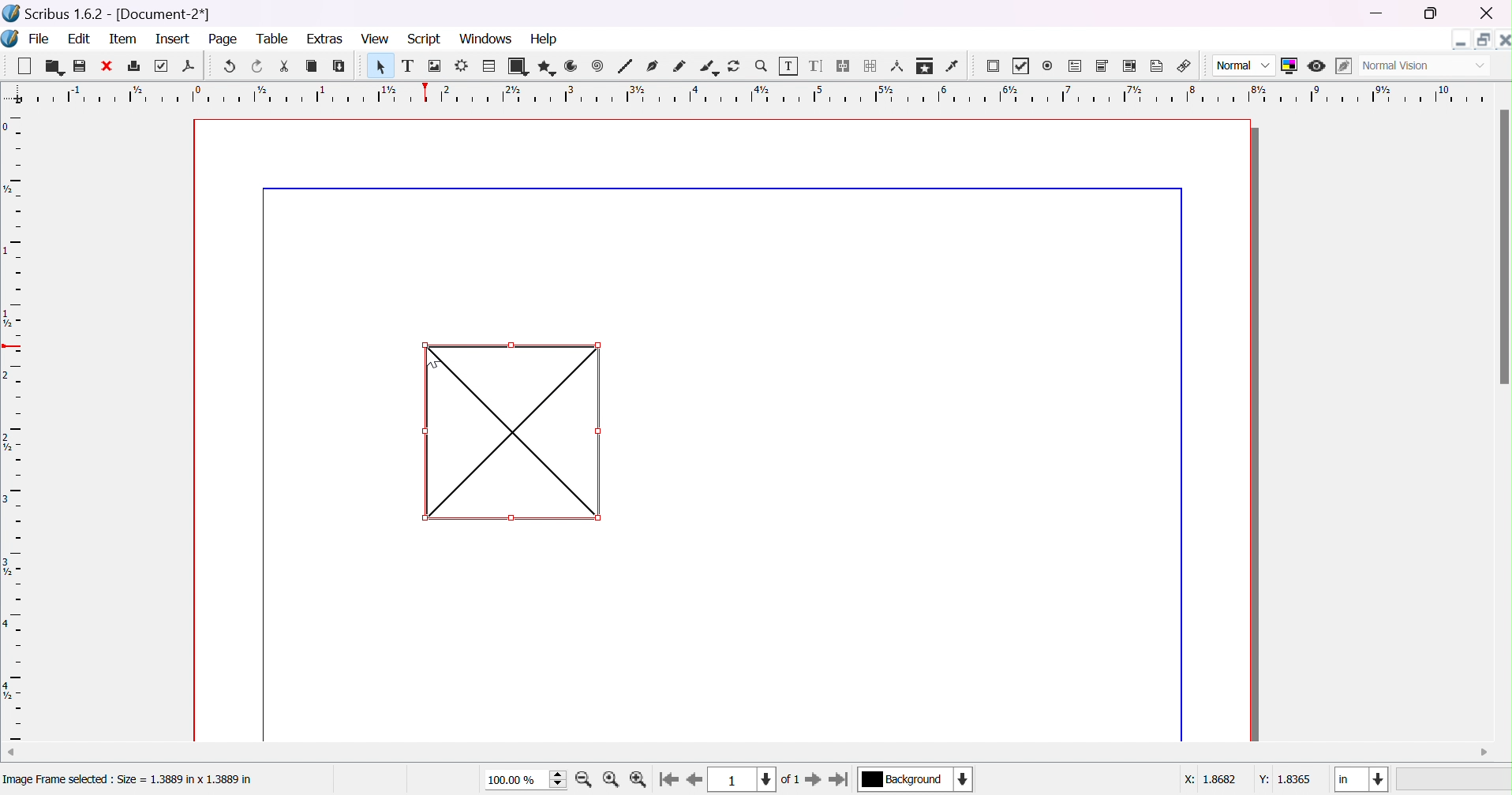  What do you see at coordinates (670, 779) in the screenshot?
I see `go to first page` at bounding box center [670, 779].